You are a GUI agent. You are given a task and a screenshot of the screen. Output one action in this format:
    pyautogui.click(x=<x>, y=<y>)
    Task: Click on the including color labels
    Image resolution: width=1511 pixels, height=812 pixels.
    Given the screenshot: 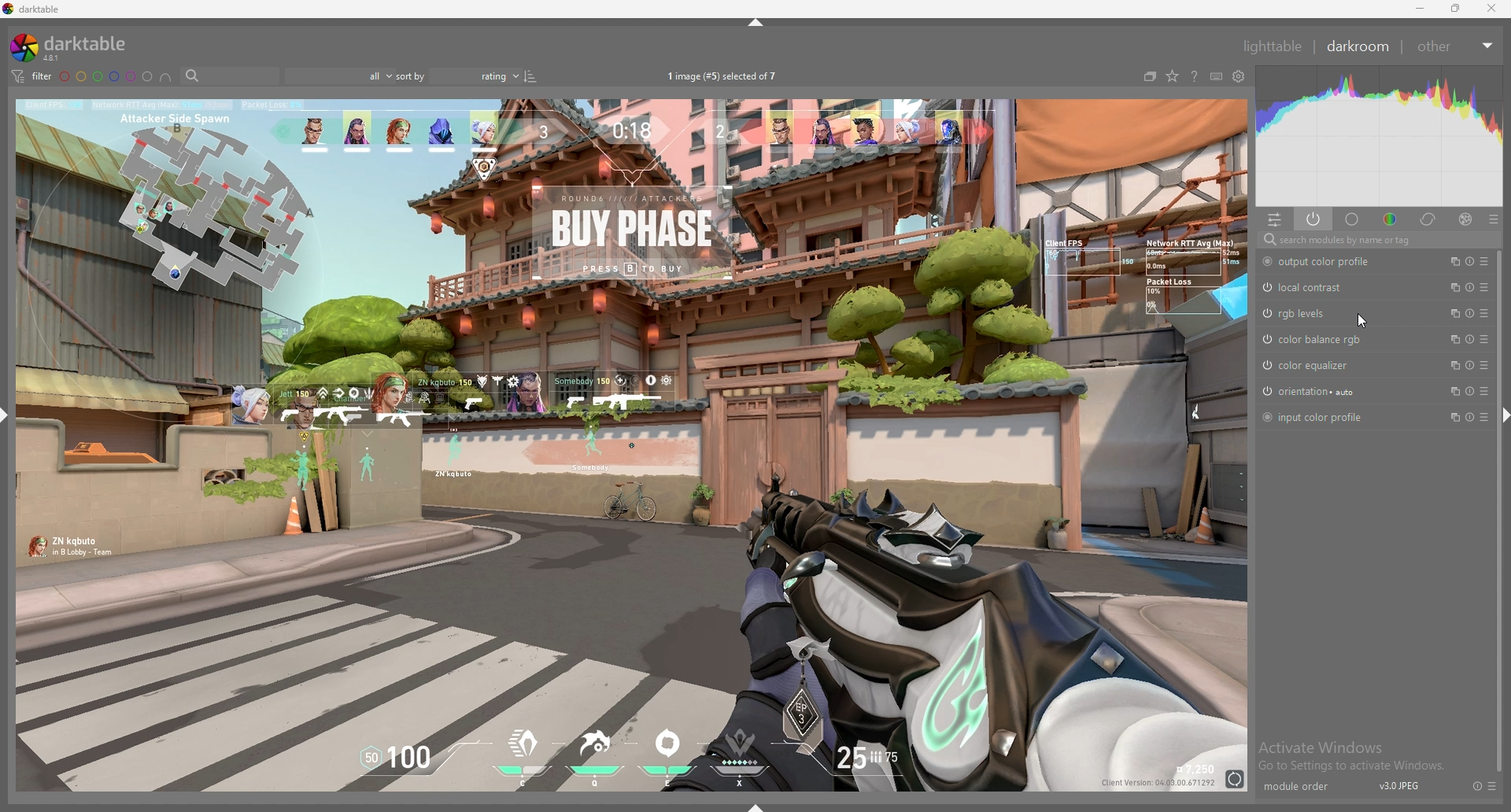 What is the action you would take?
    pyautogui.click(x=167, y=77)
    